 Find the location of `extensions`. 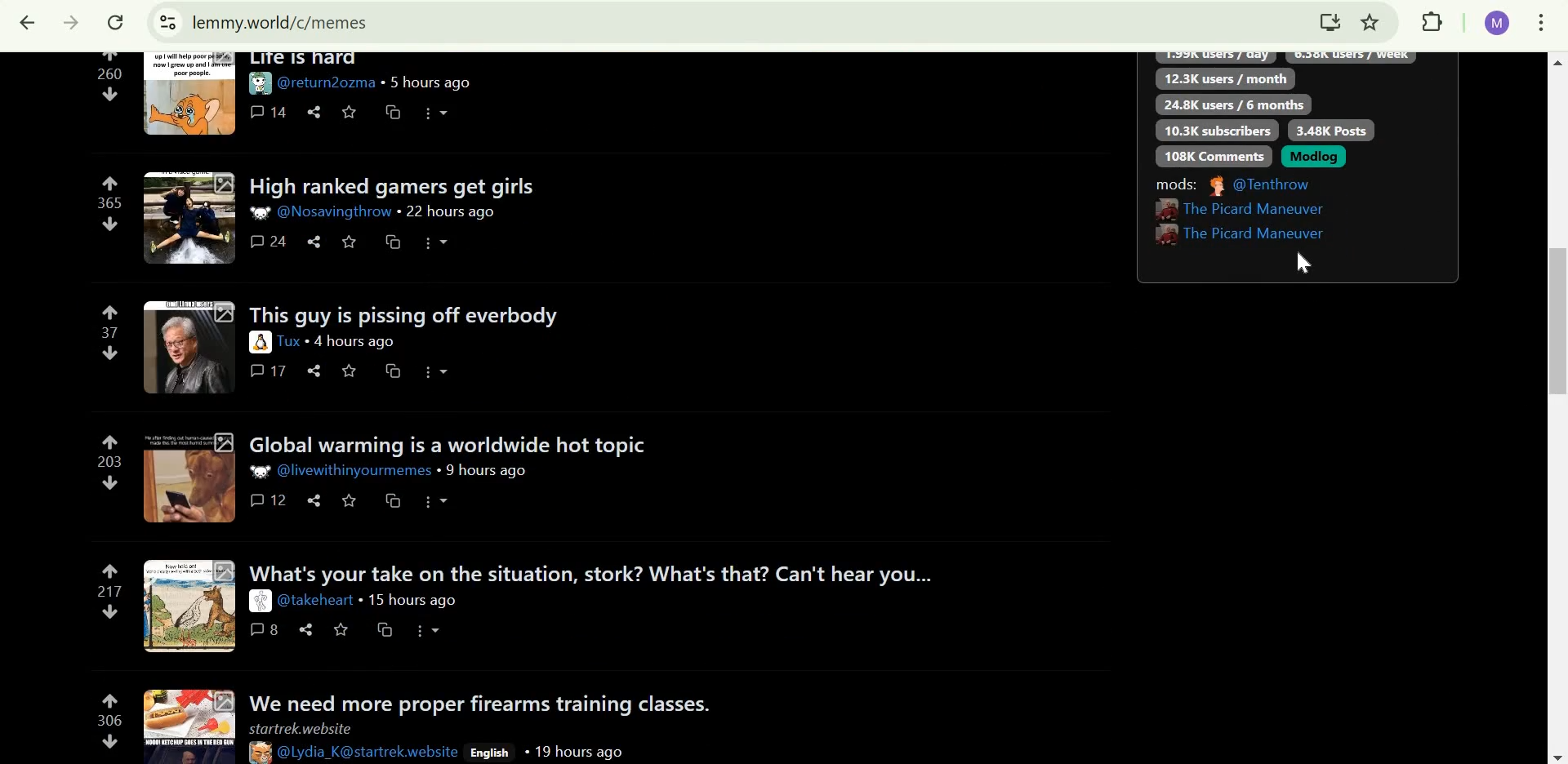

extensions is located at coordinates (1434, 24).